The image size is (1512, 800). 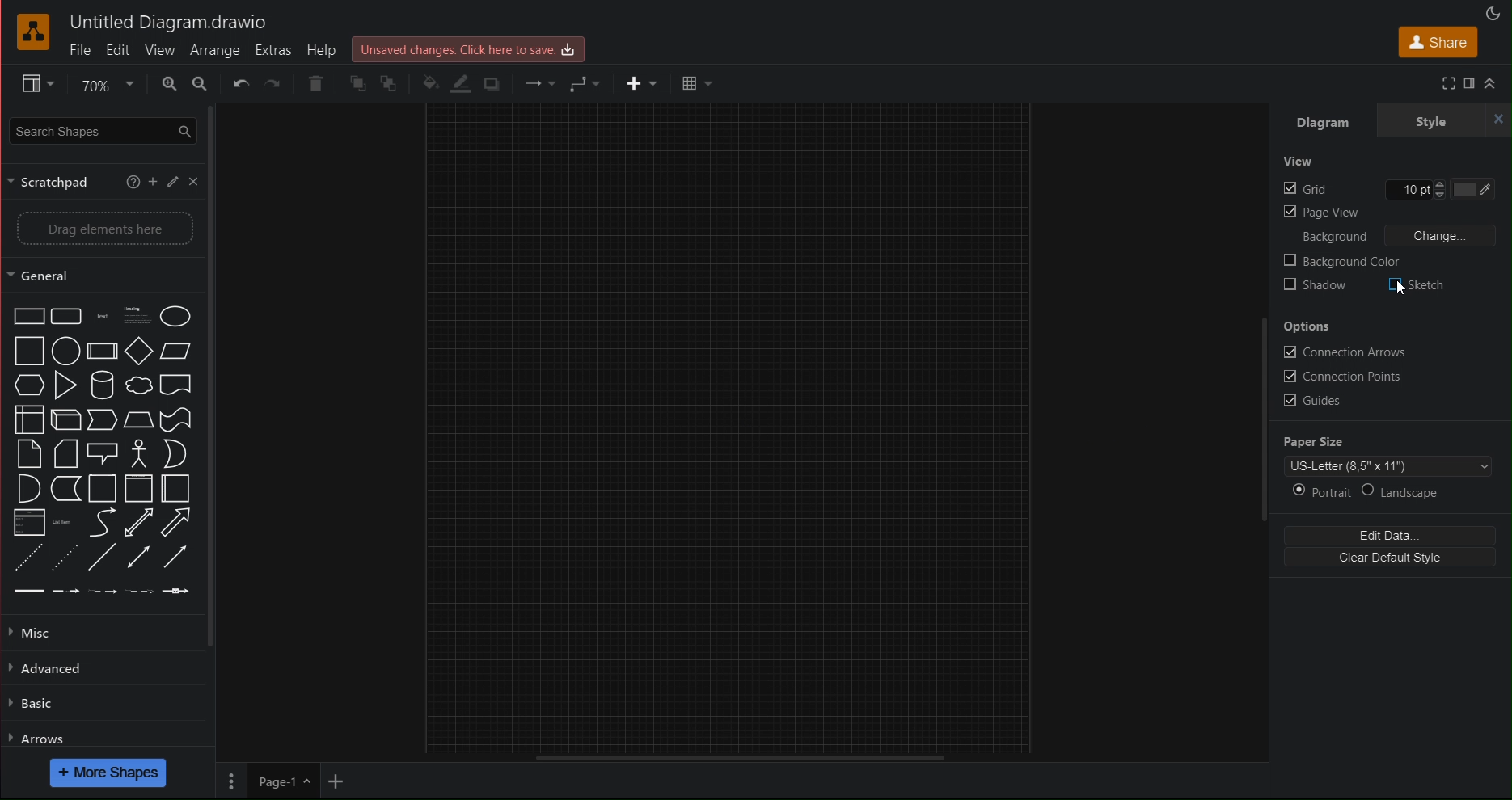 I want to click on list item, so click(x=63, y=524).